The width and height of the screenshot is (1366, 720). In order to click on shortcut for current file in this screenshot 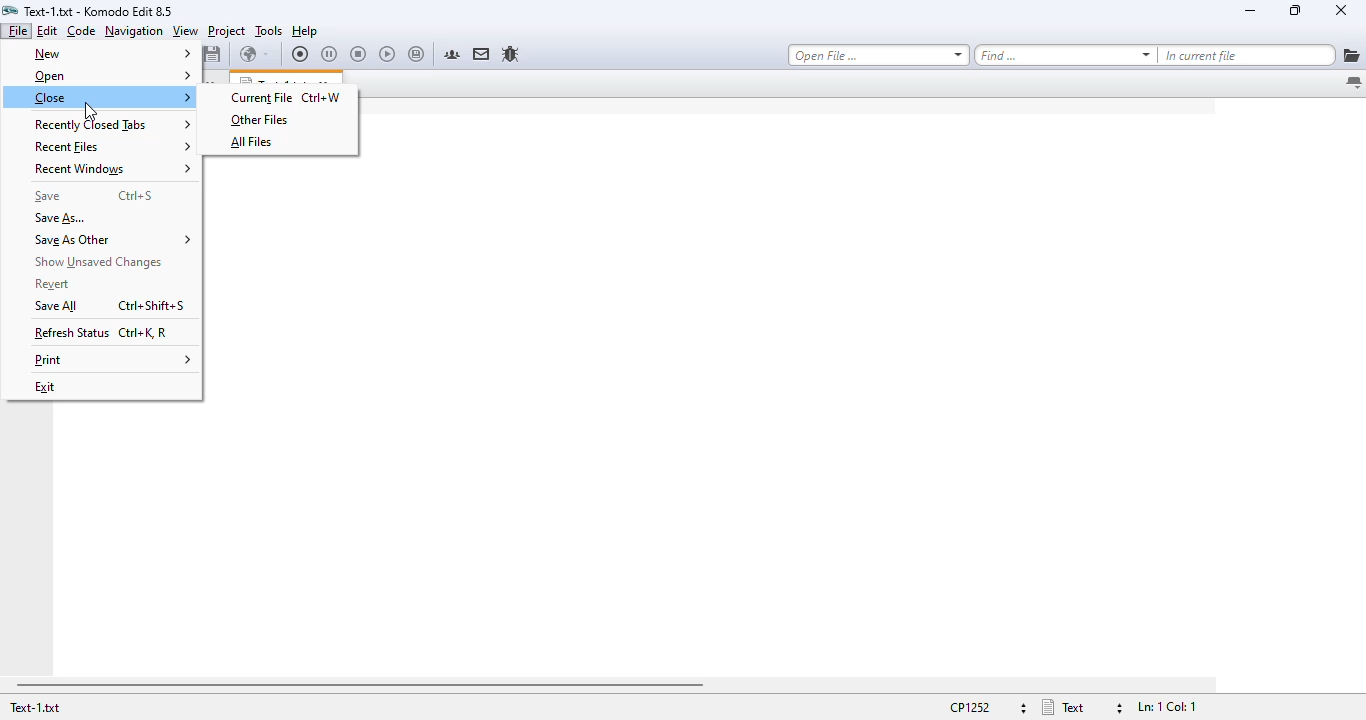, I will do `click(322, 97)`.